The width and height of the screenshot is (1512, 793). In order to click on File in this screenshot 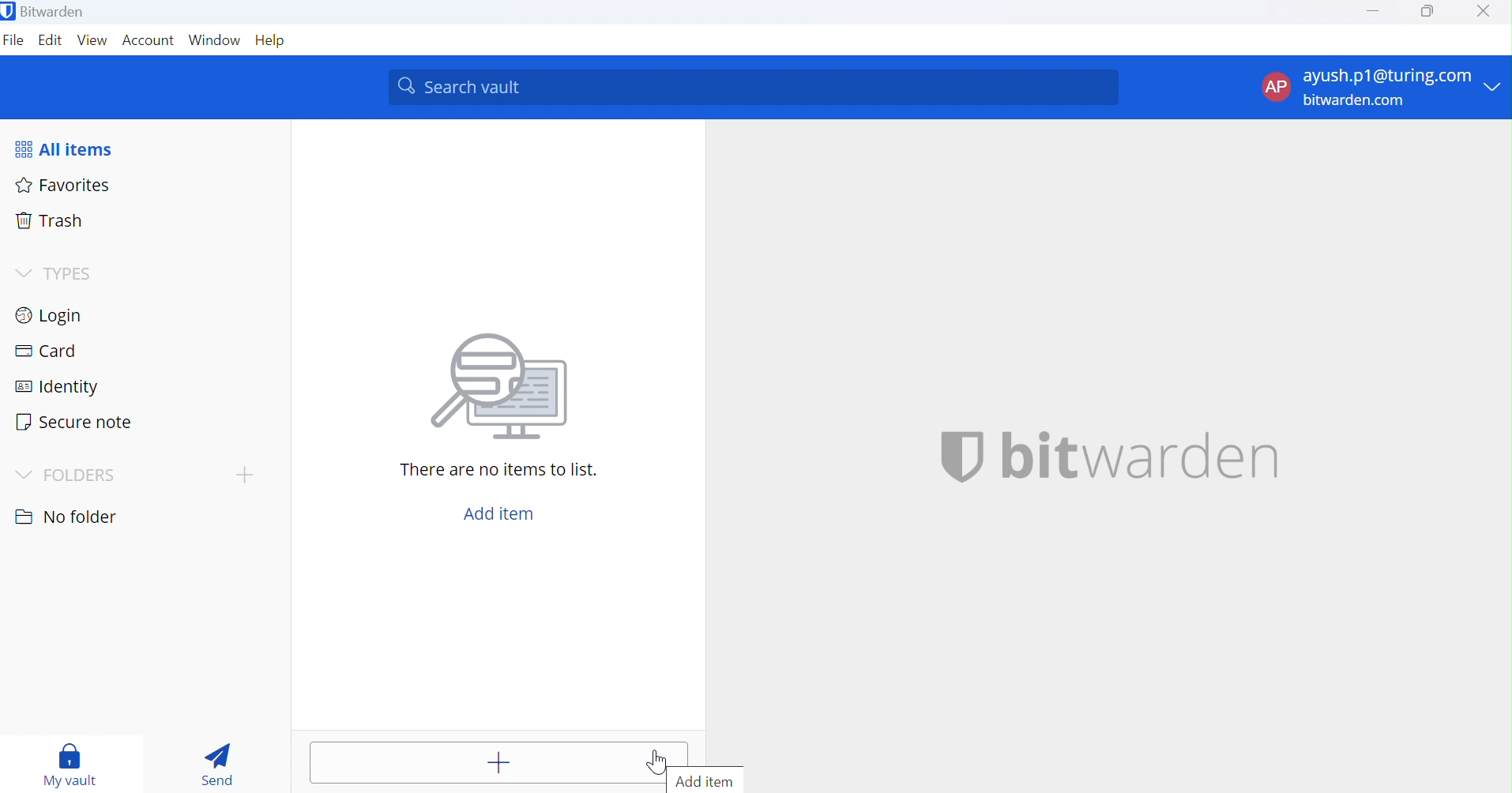, I will do `click(14, 43)`.